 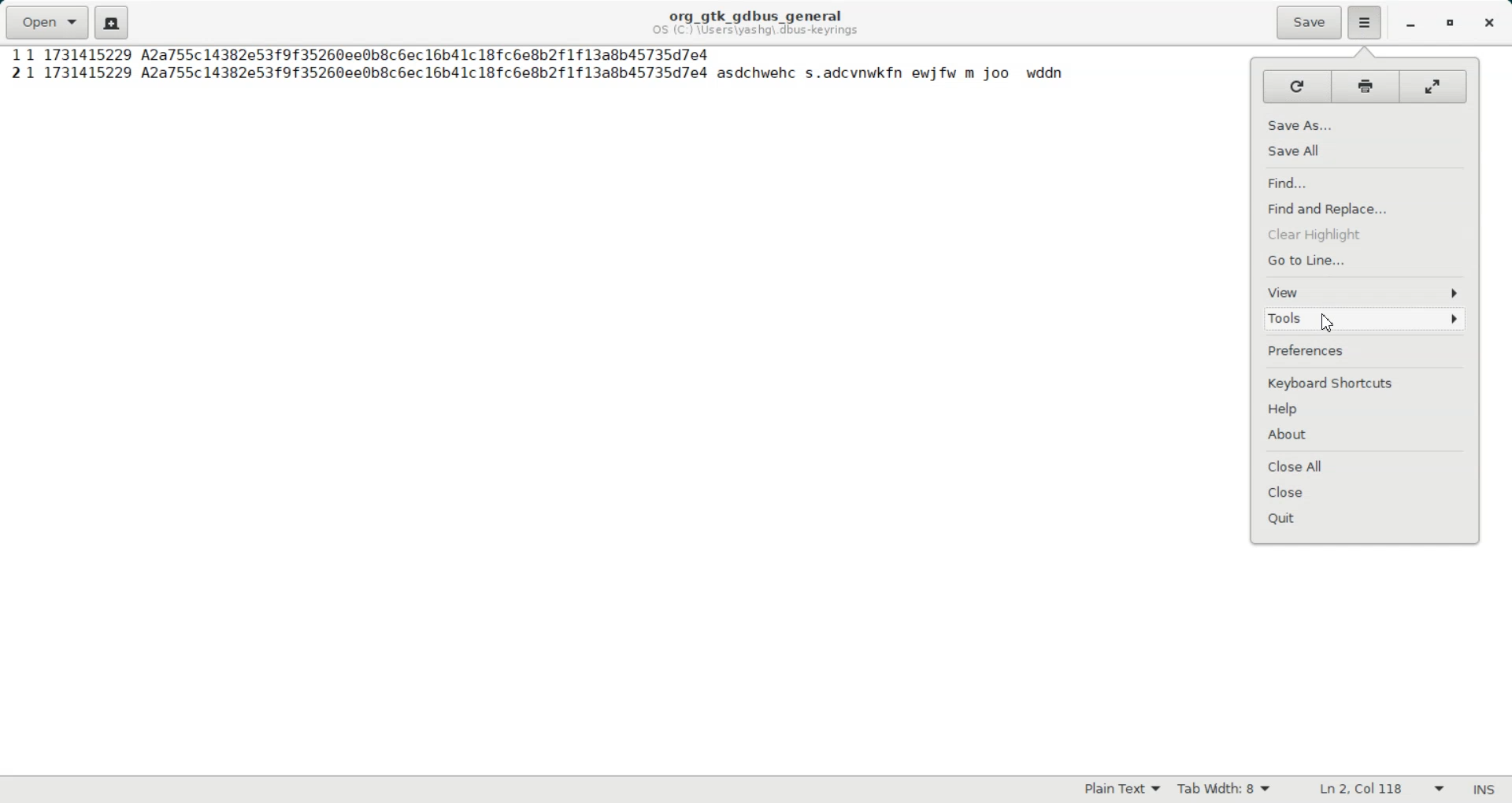 What do you see at coordinates (1364, 464) in the screenshot?
I see `Close All` at bounding box center [1364, 464].